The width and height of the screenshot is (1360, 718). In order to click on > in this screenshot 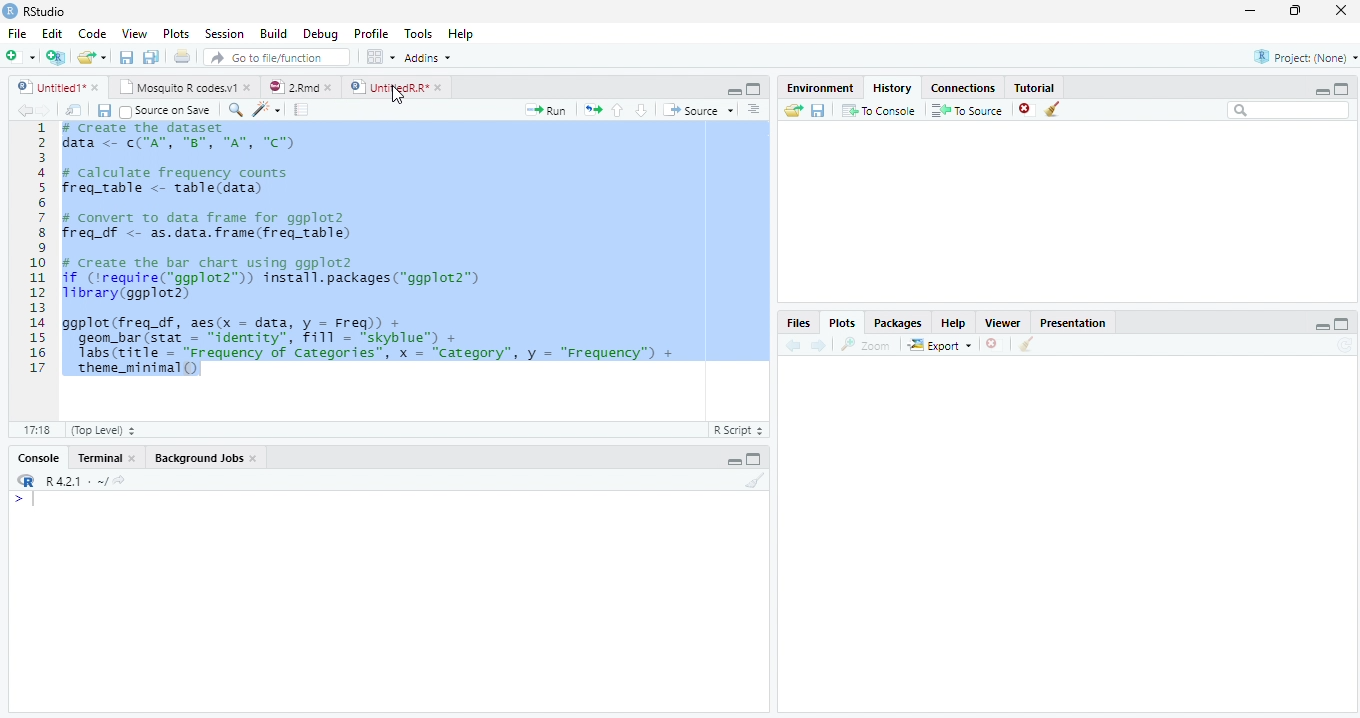, I will do `click(13, 498)`.